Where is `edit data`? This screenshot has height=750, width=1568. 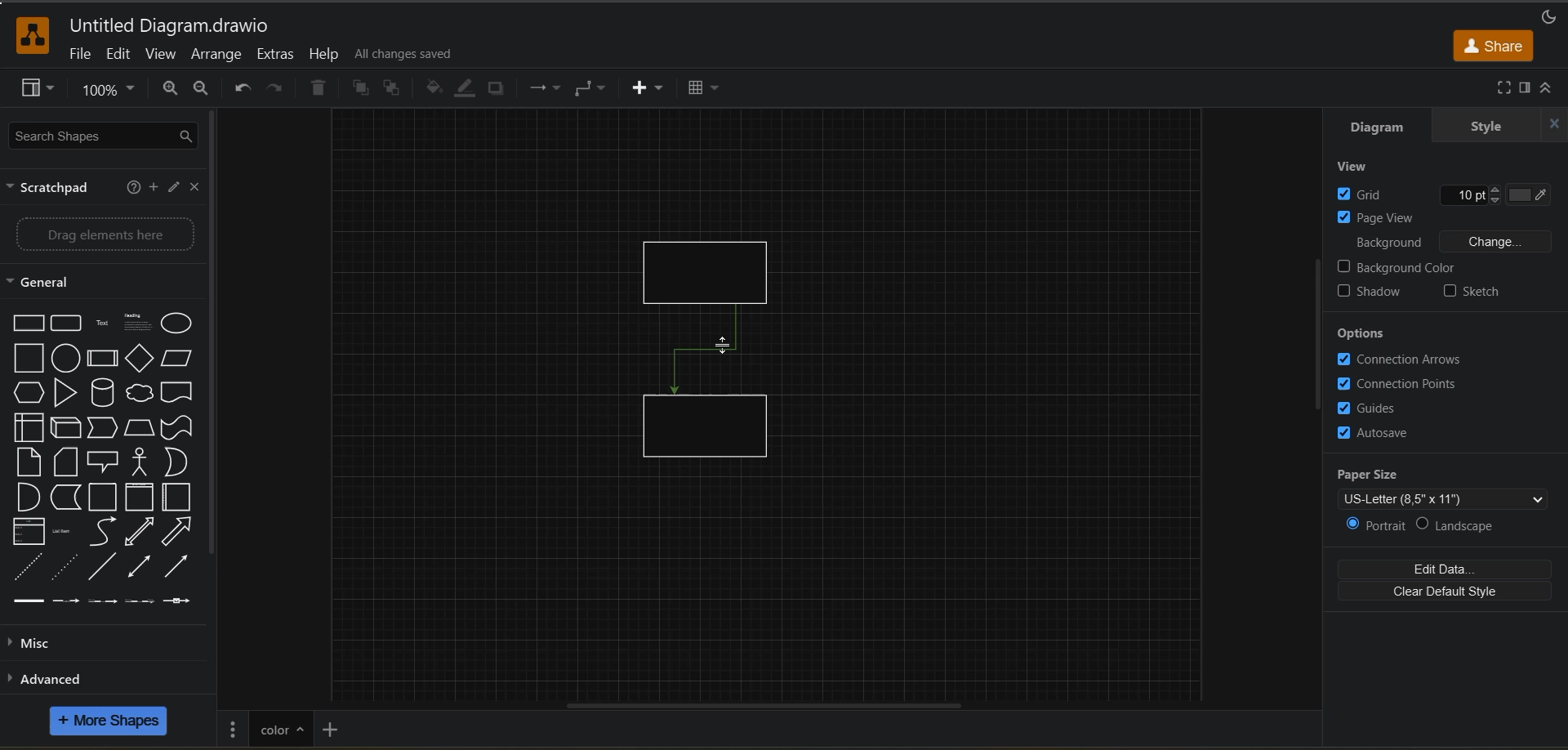
edit data is located at coordinates (1448, 568).